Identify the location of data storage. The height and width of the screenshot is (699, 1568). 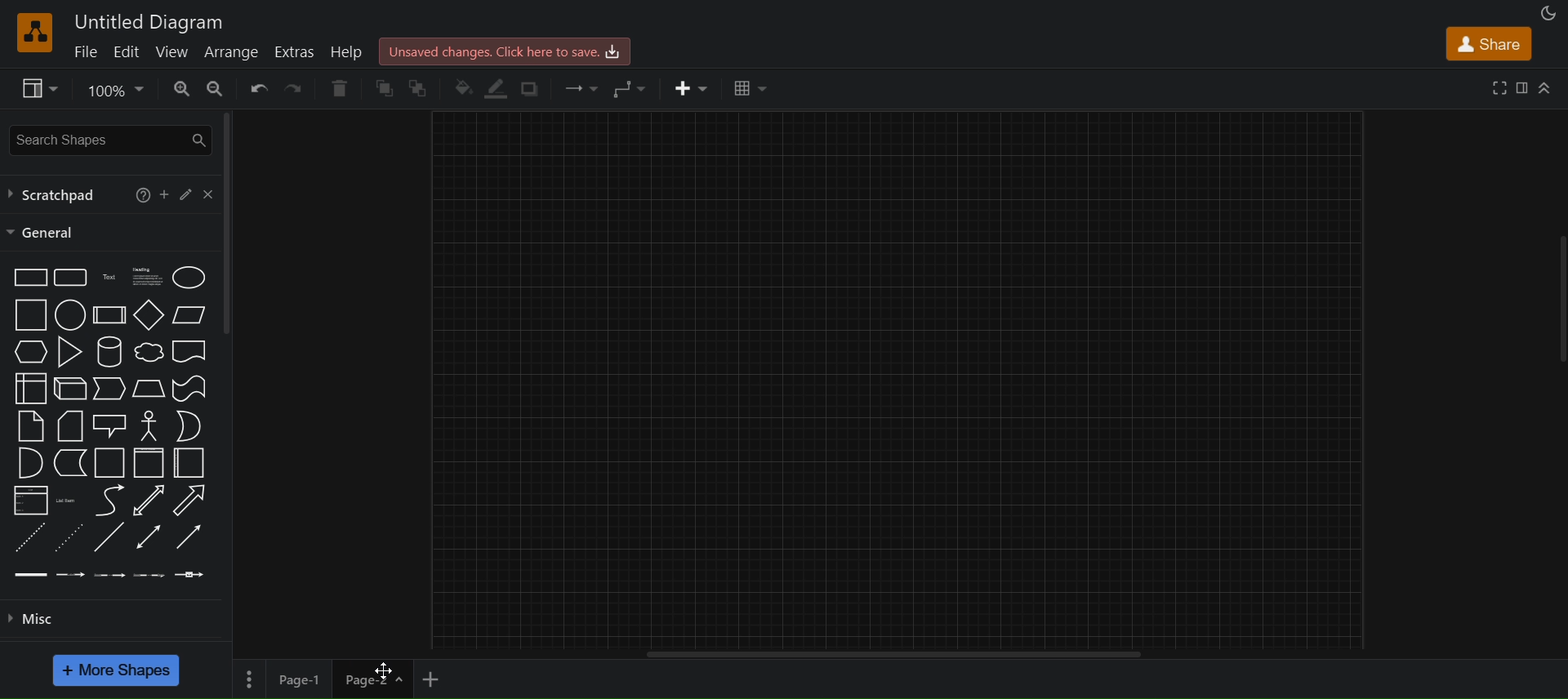
(69, 463).